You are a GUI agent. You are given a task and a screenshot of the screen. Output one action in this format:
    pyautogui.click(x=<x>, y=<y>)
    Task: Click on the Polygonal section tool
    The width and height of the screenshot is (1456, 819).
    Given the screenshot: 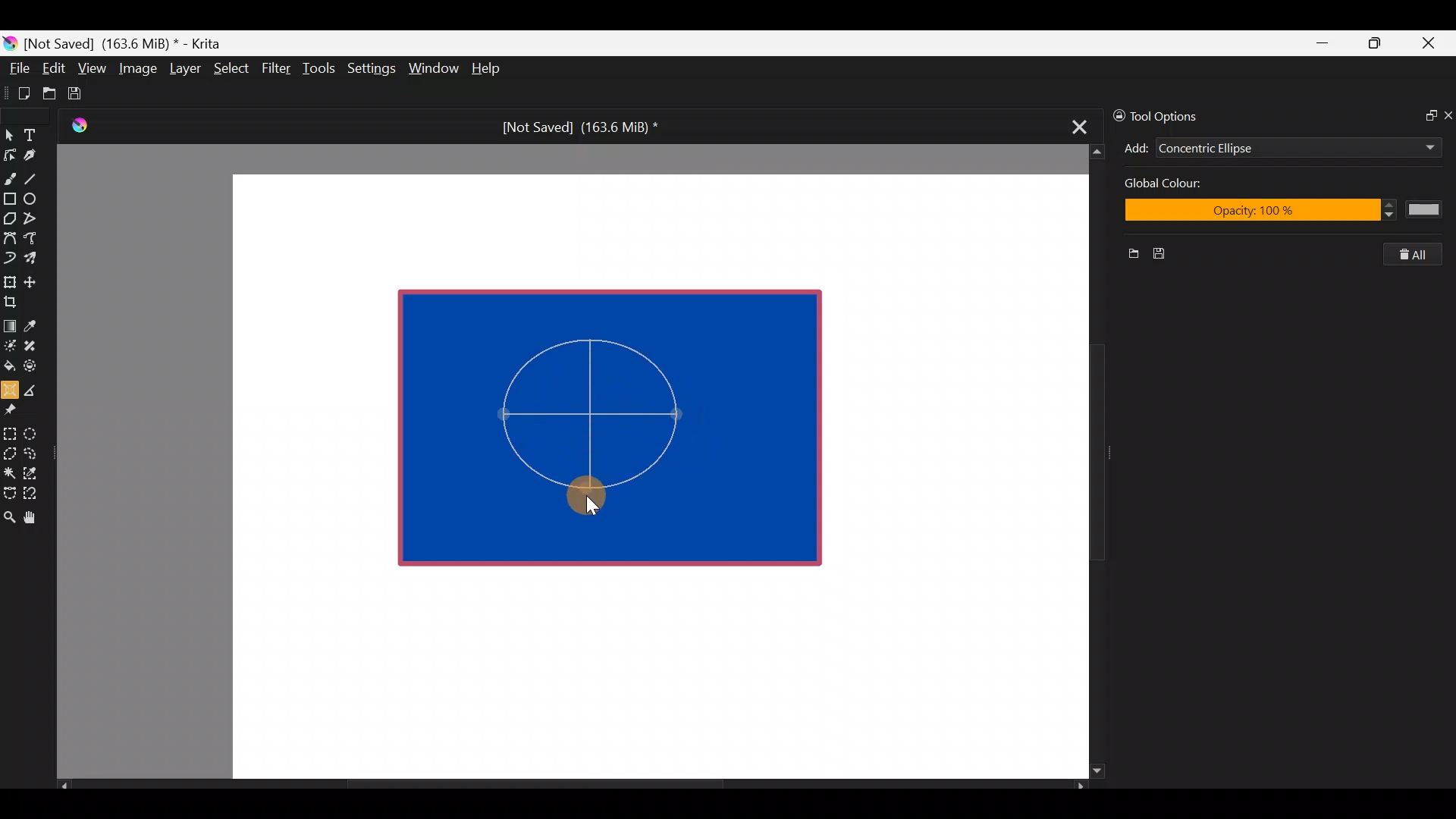 What is the action you would take?
    pyautogui.click(x=9, y=450)
    